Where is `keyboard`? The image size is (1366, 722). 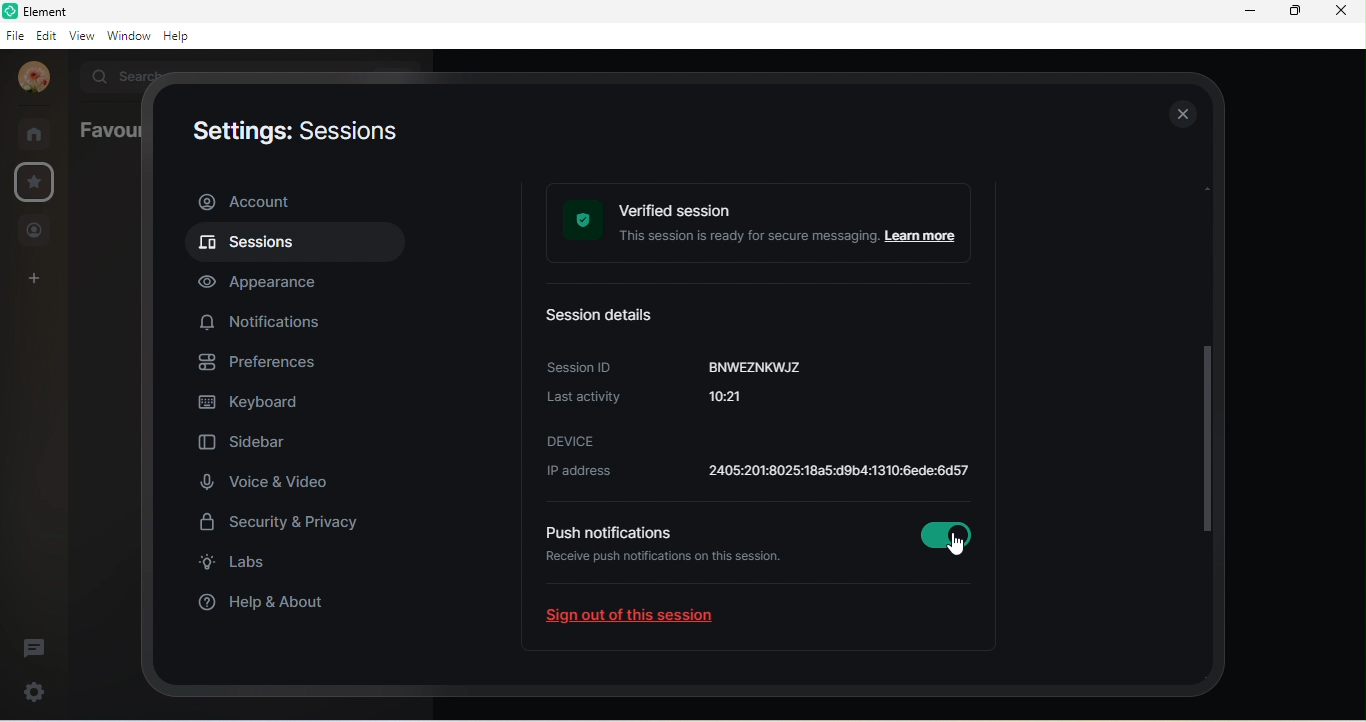 keyboard is located at coordinates (255, 405).